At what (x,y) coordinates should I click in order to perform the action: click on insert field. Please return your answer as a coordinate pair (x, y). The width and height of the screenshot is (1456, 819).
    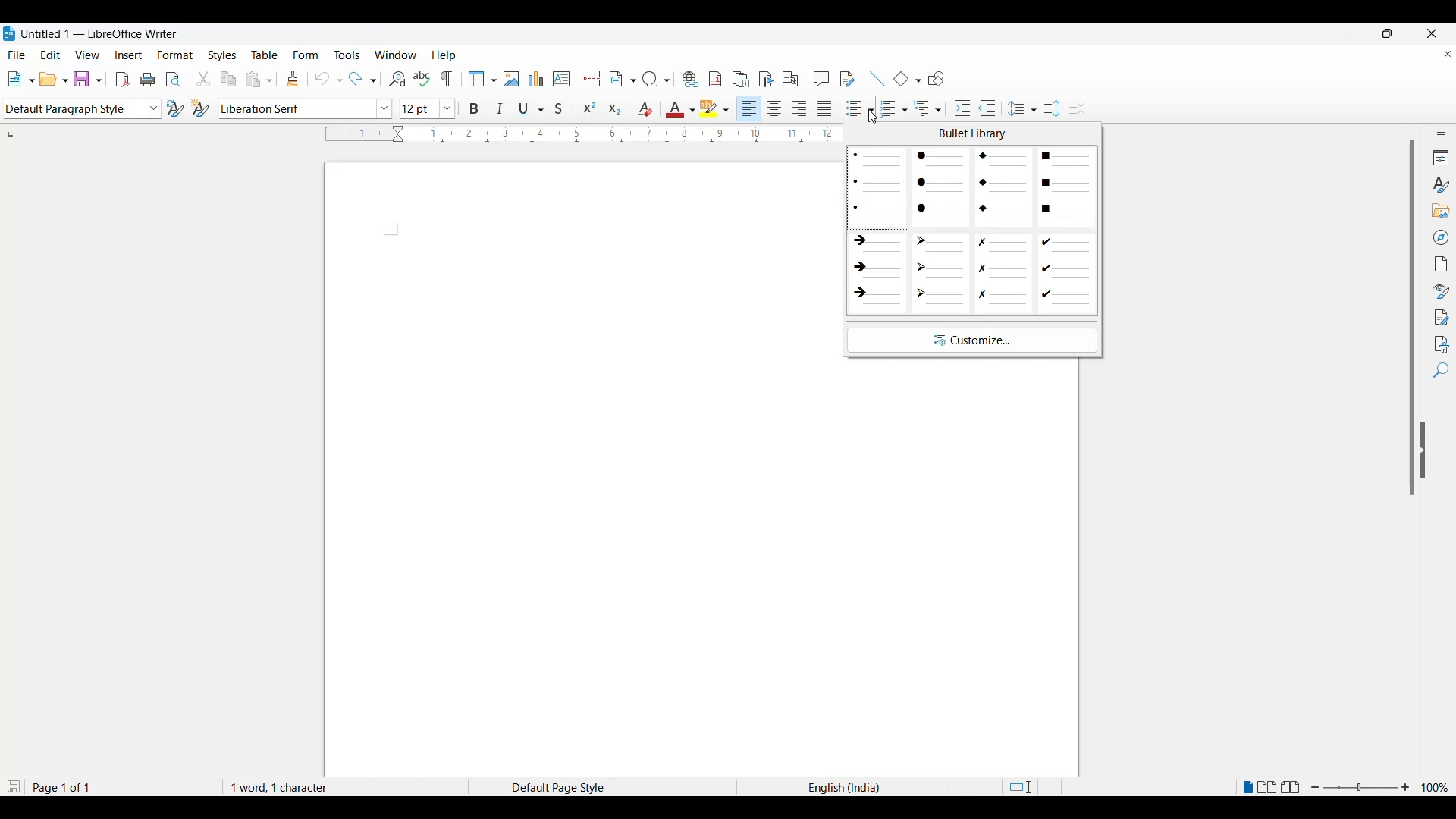
    Looking at the image, I should click on (621, 78).